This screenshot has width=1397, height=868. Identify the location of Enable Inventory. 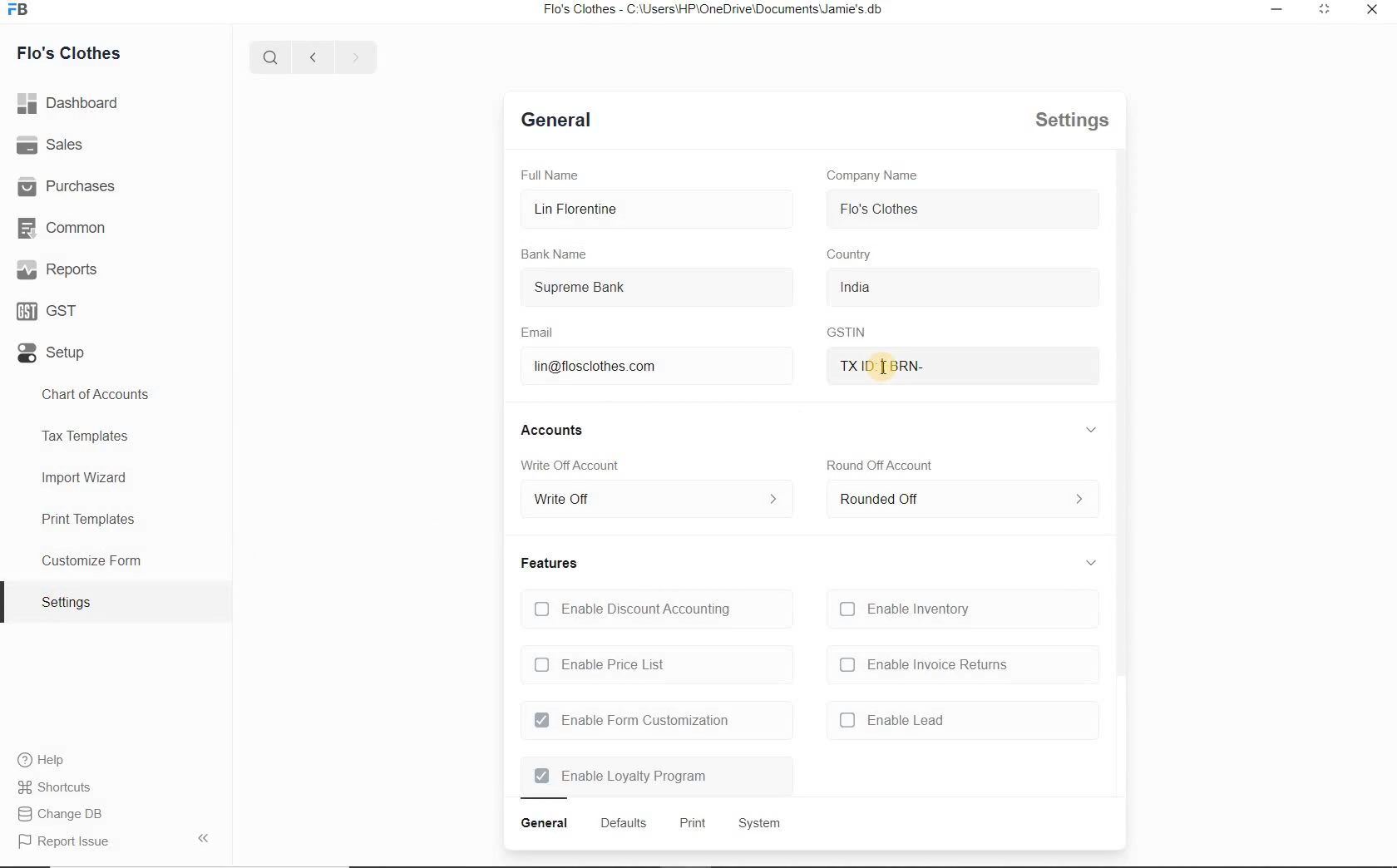
(910, 609).